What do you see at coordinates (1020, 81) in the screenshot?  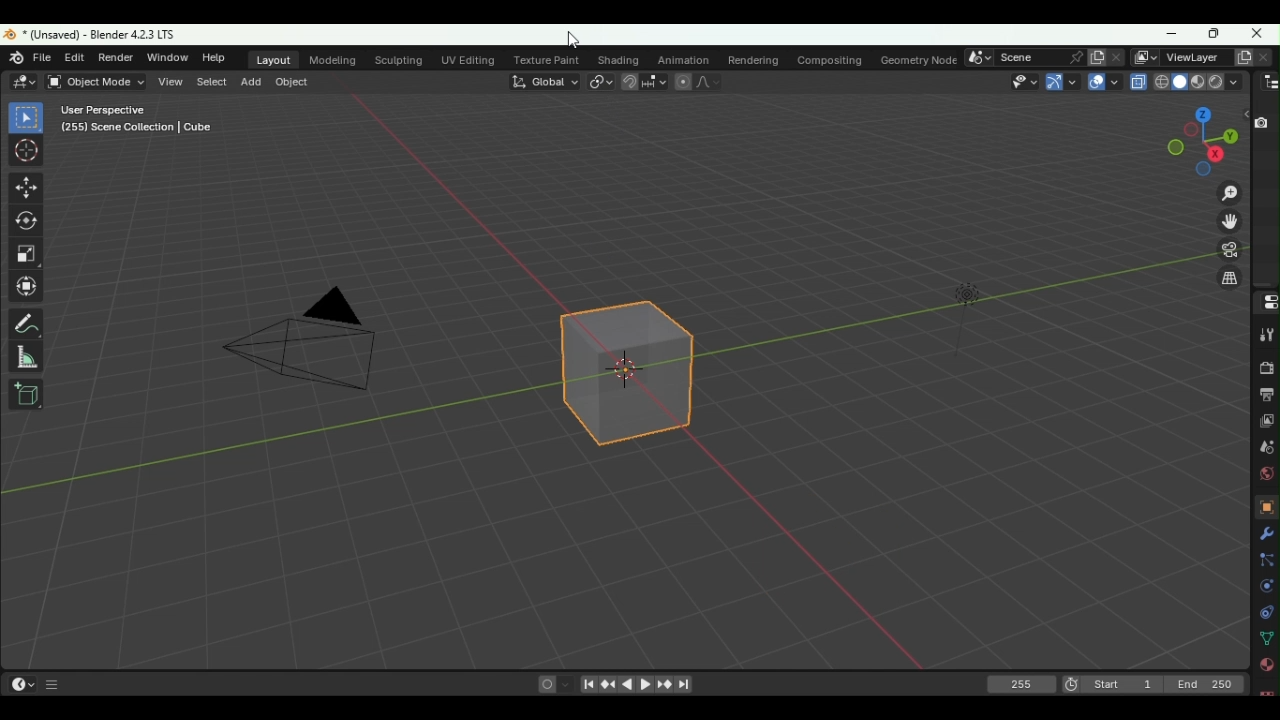 I see `Selectability and visibility` at bounding box center [1020, 81].